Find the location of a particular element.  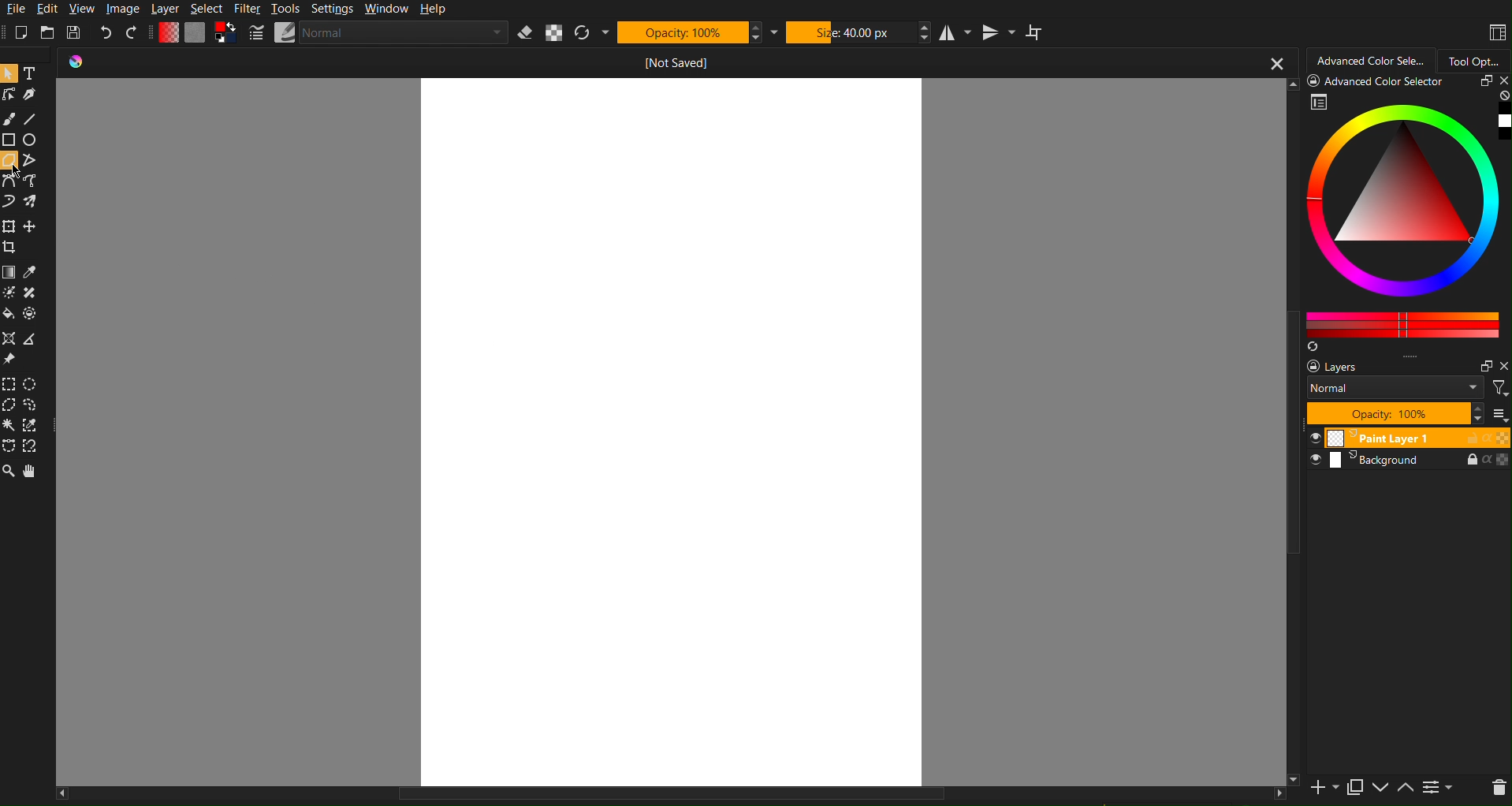

Edit is located at coordinates (49, 9).